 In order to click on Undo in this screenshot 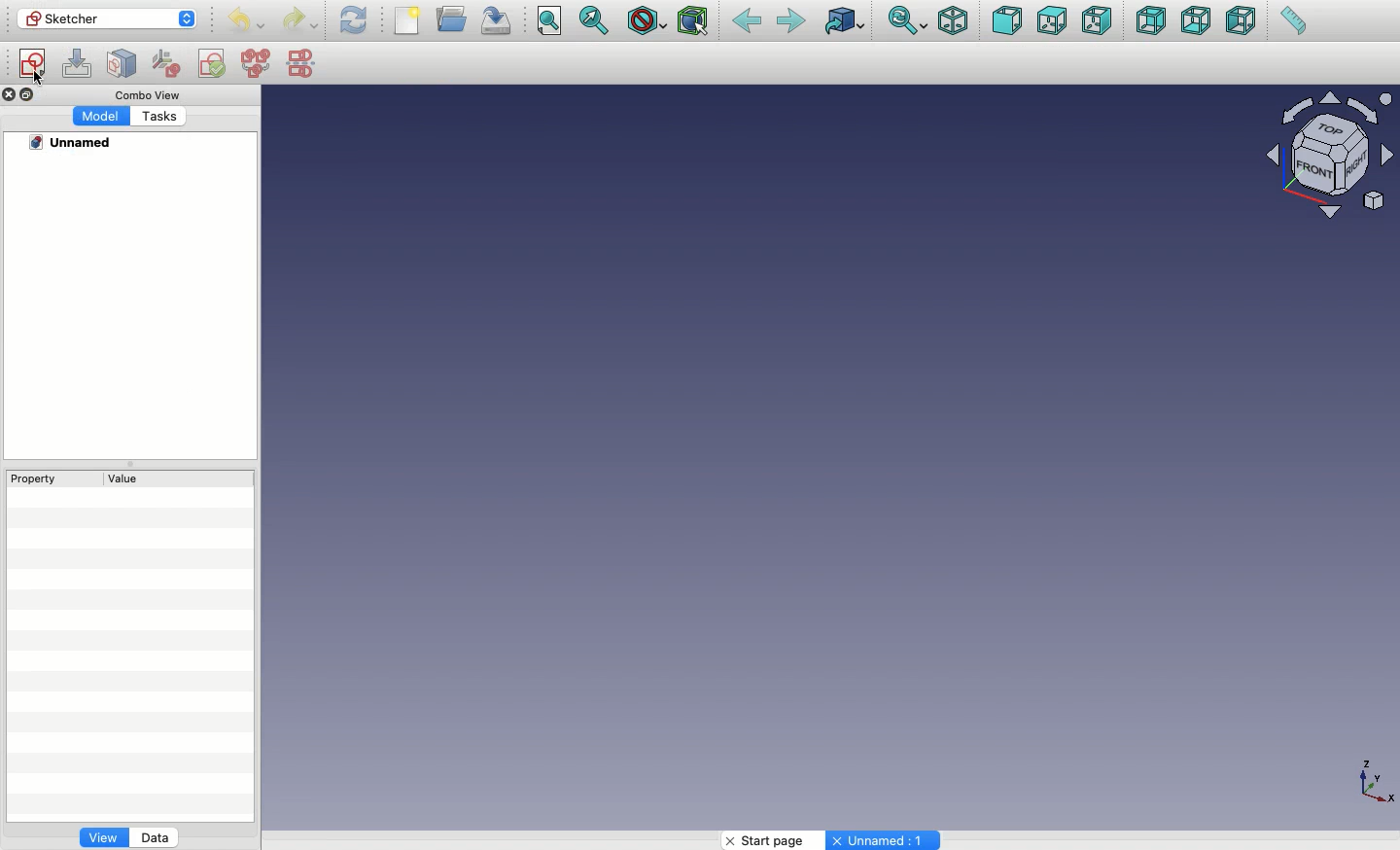, I will do `click(244, 21)`.